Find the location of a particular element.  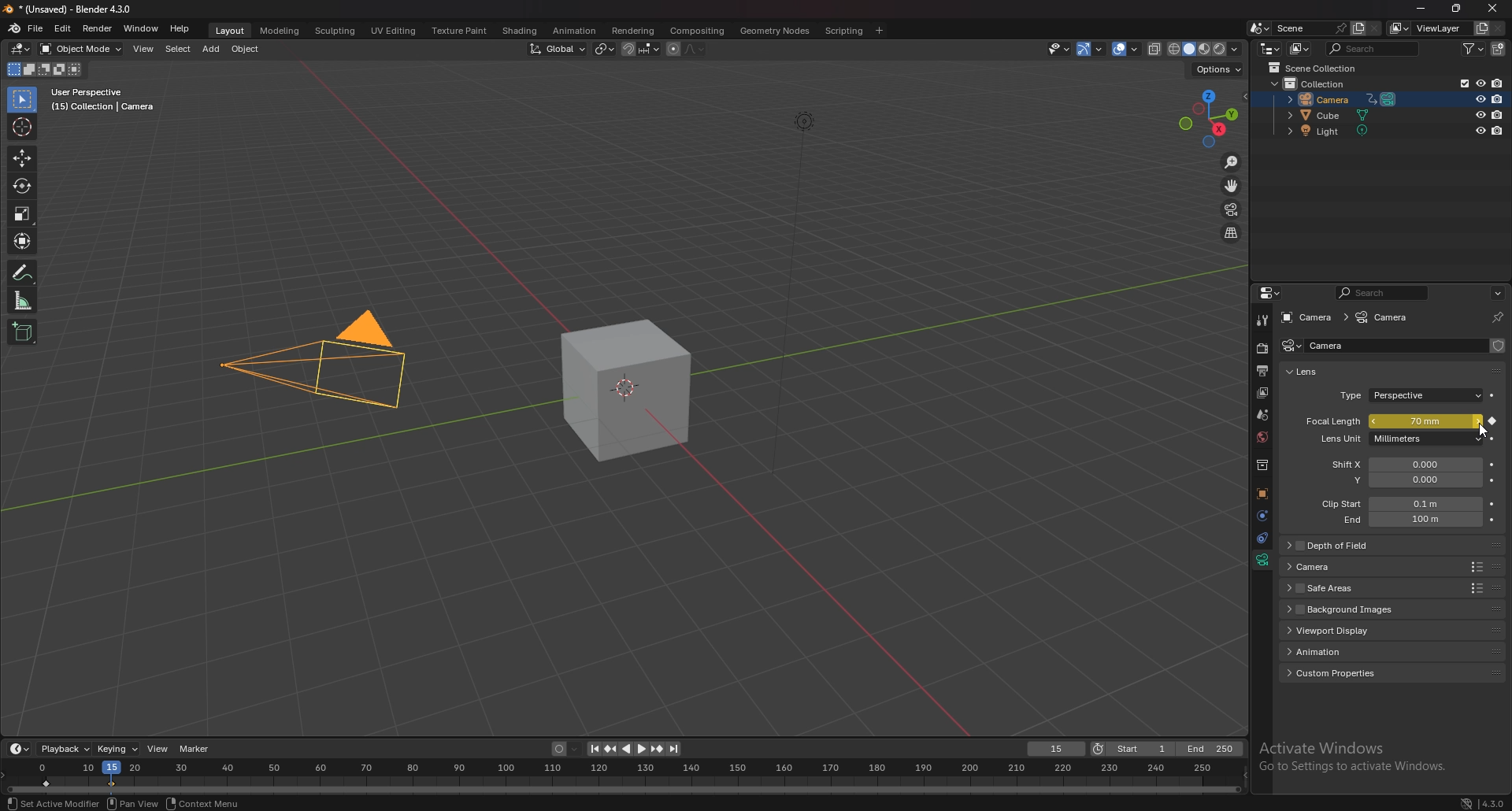

jump to keyframe is located at coordinates (657, 749).